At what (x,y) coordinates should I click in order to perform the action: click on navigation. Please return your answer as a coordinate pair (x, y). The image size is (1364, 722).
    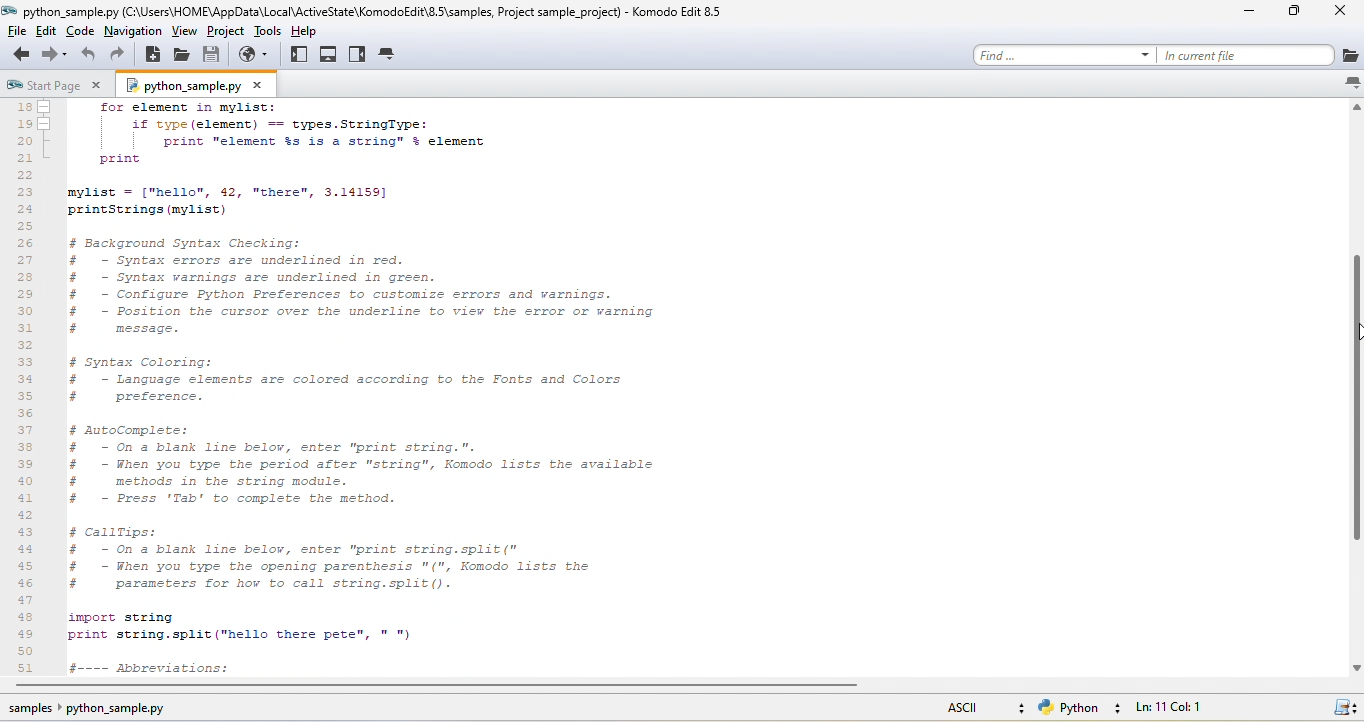
    Looking at the image, I should click on (132, 31).